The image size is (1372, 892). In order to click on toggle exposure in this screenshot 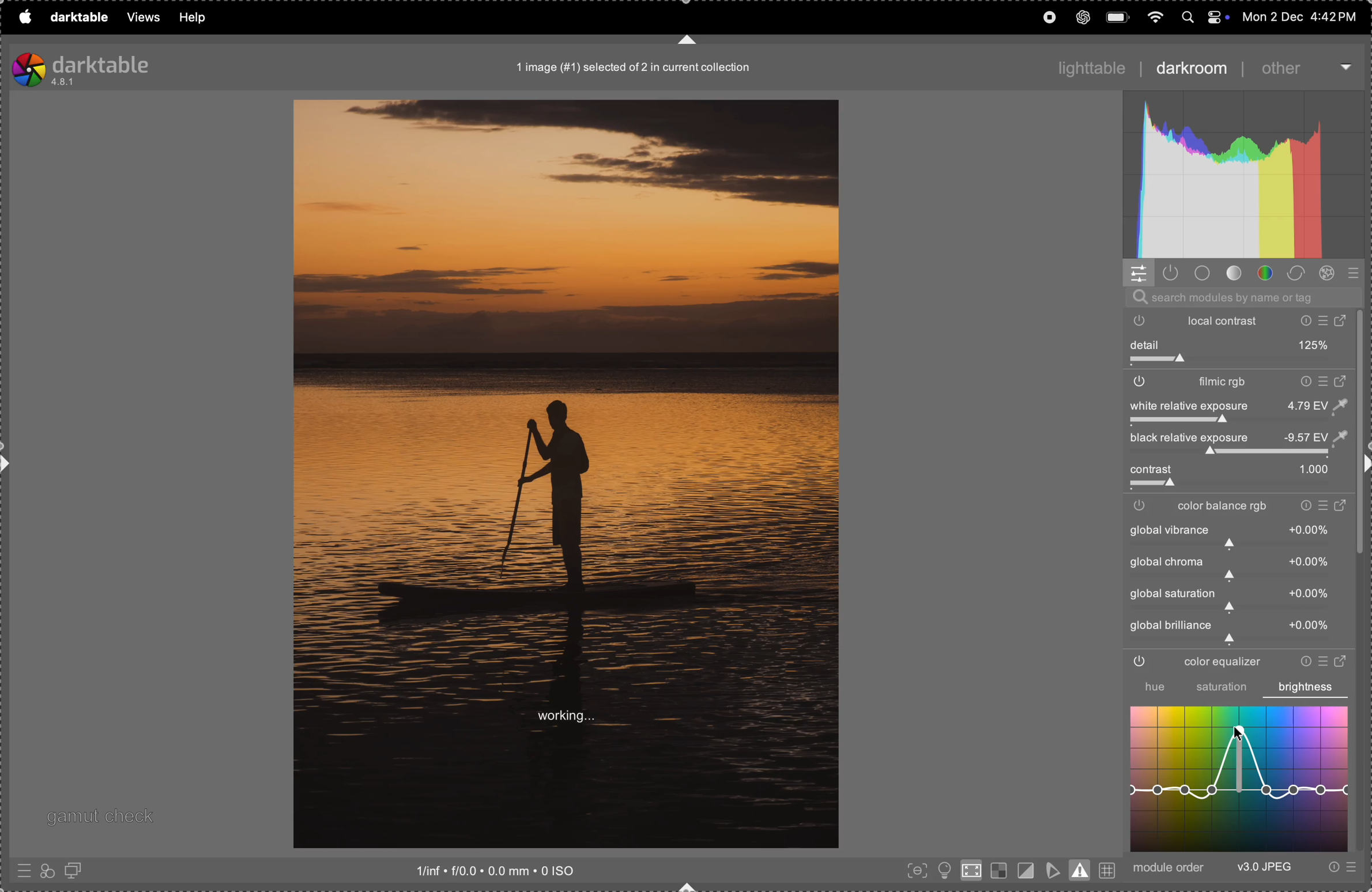, I will do `click(1148, 422)`.